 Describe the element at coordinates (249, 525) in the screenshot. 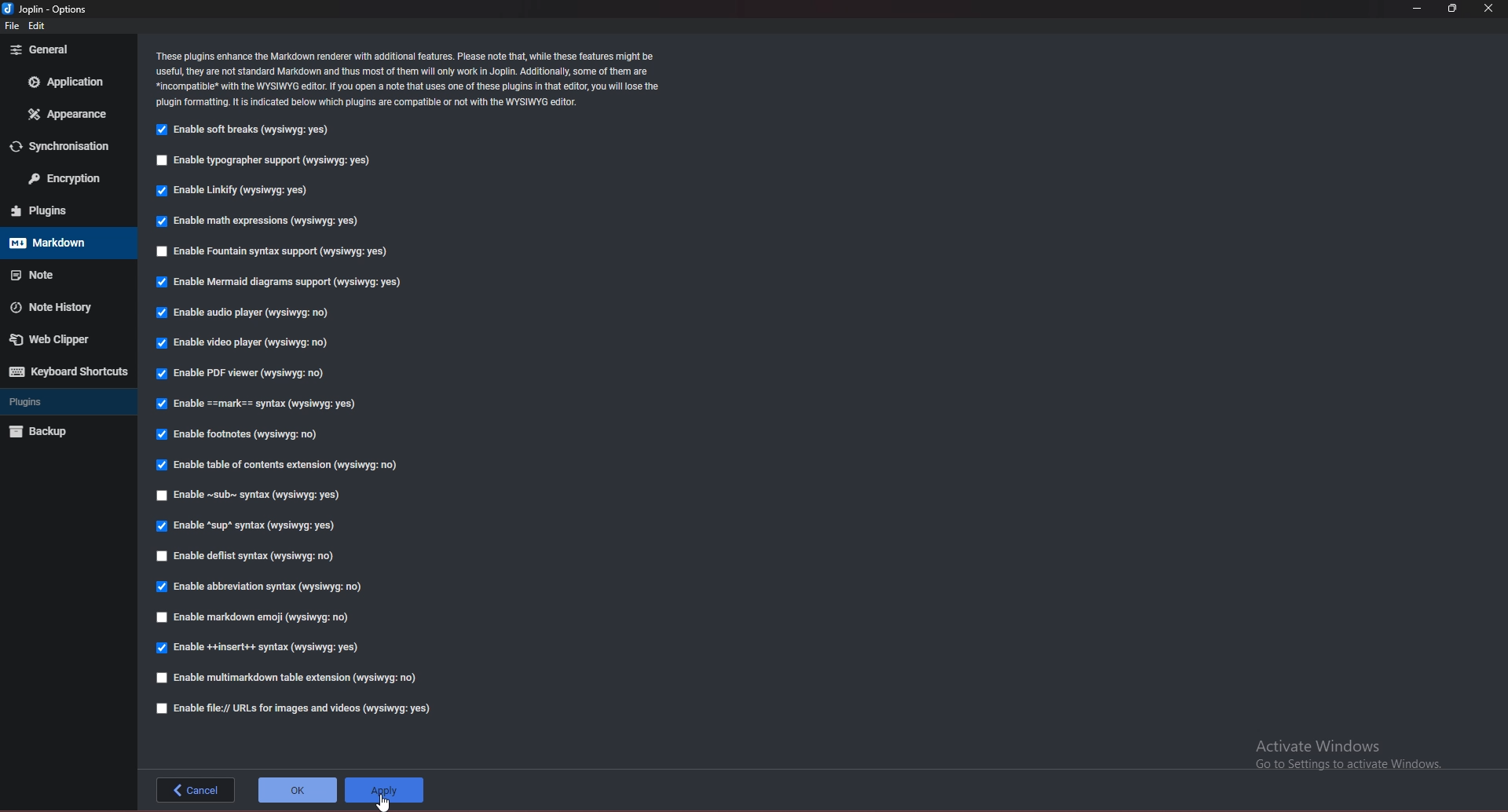

I see `enable sup syntax` at that location.